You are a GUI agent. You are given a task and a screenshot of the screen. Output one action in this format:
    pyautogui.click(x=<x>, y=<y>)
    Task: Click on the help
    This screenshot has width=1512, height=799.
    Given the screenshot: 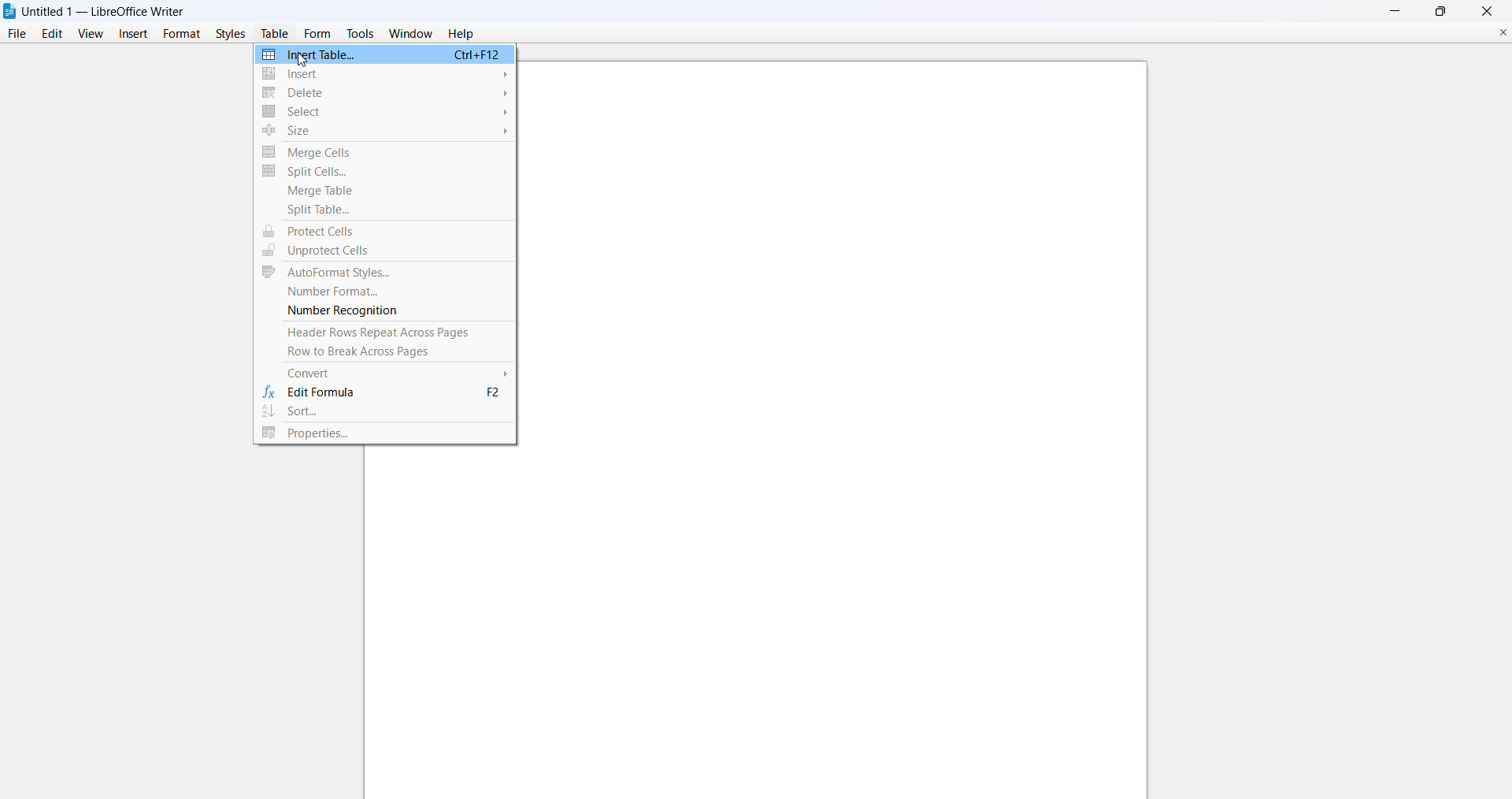 What is the action you would take?
    pyautogui.click(x=463, y=33)
    